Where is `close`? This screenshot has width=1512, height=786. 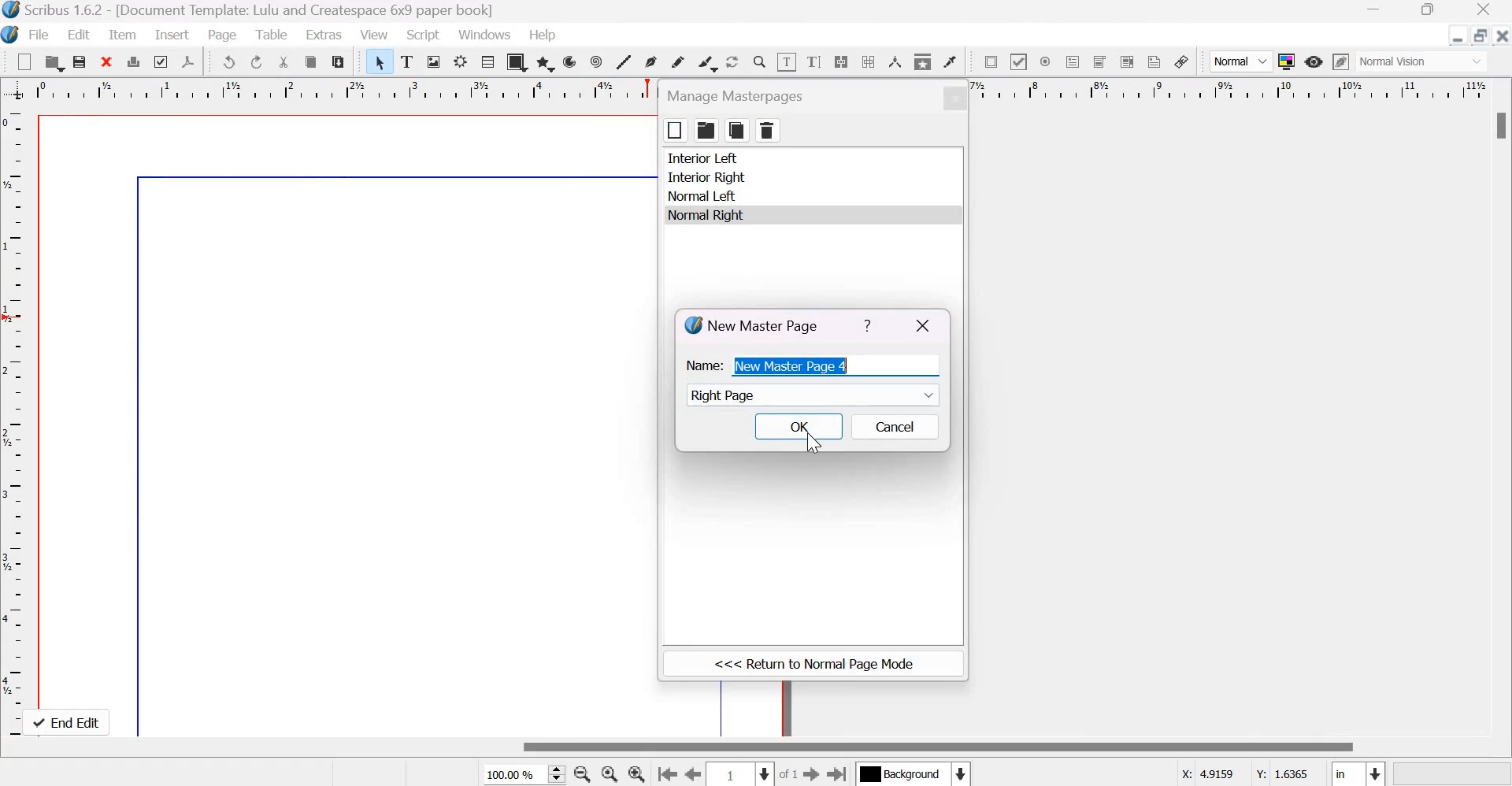 close is located at coordinates (956, 98).